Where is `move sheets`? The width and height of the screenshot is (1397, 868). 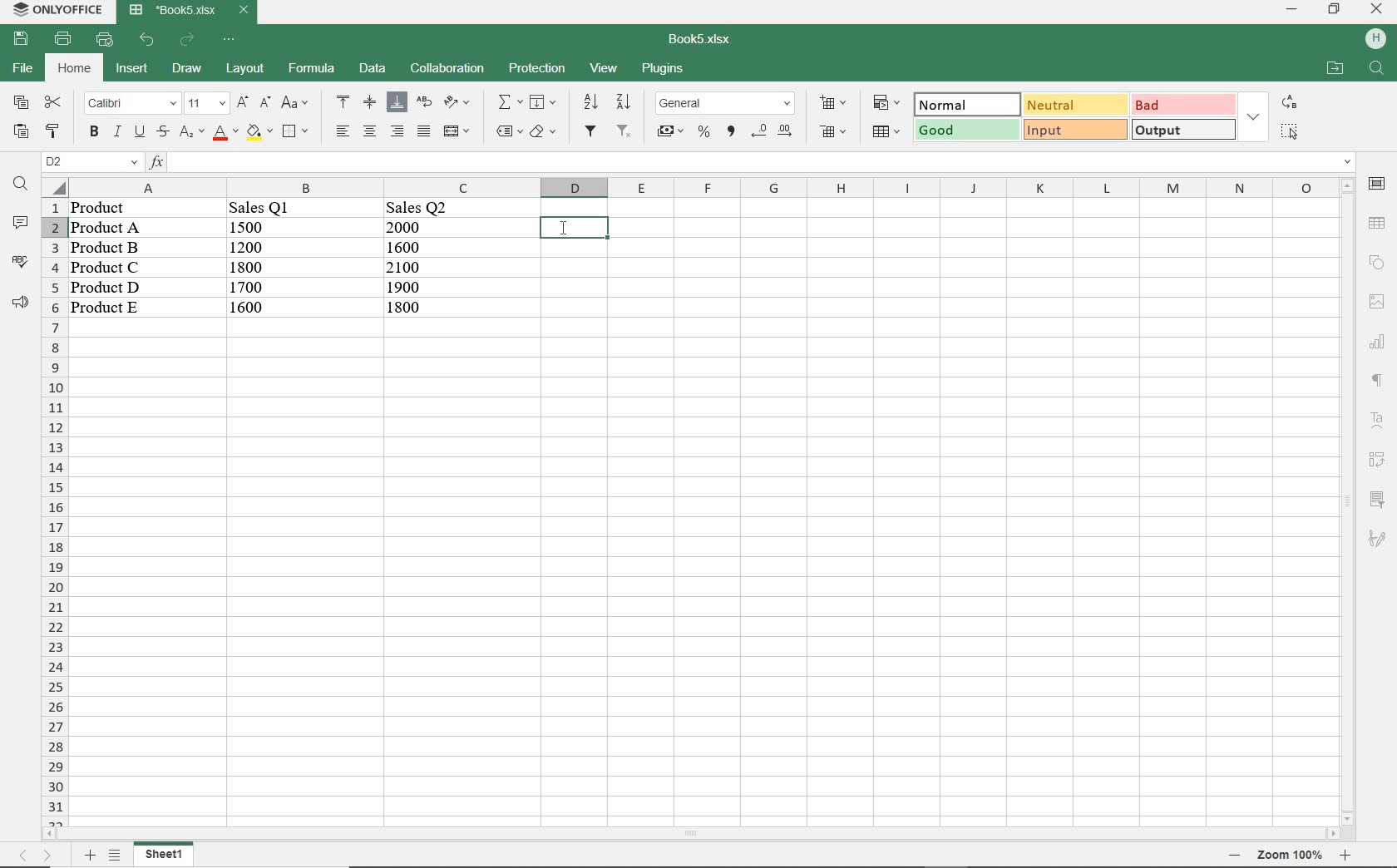 move sheets is located at coordinates (37, 857).